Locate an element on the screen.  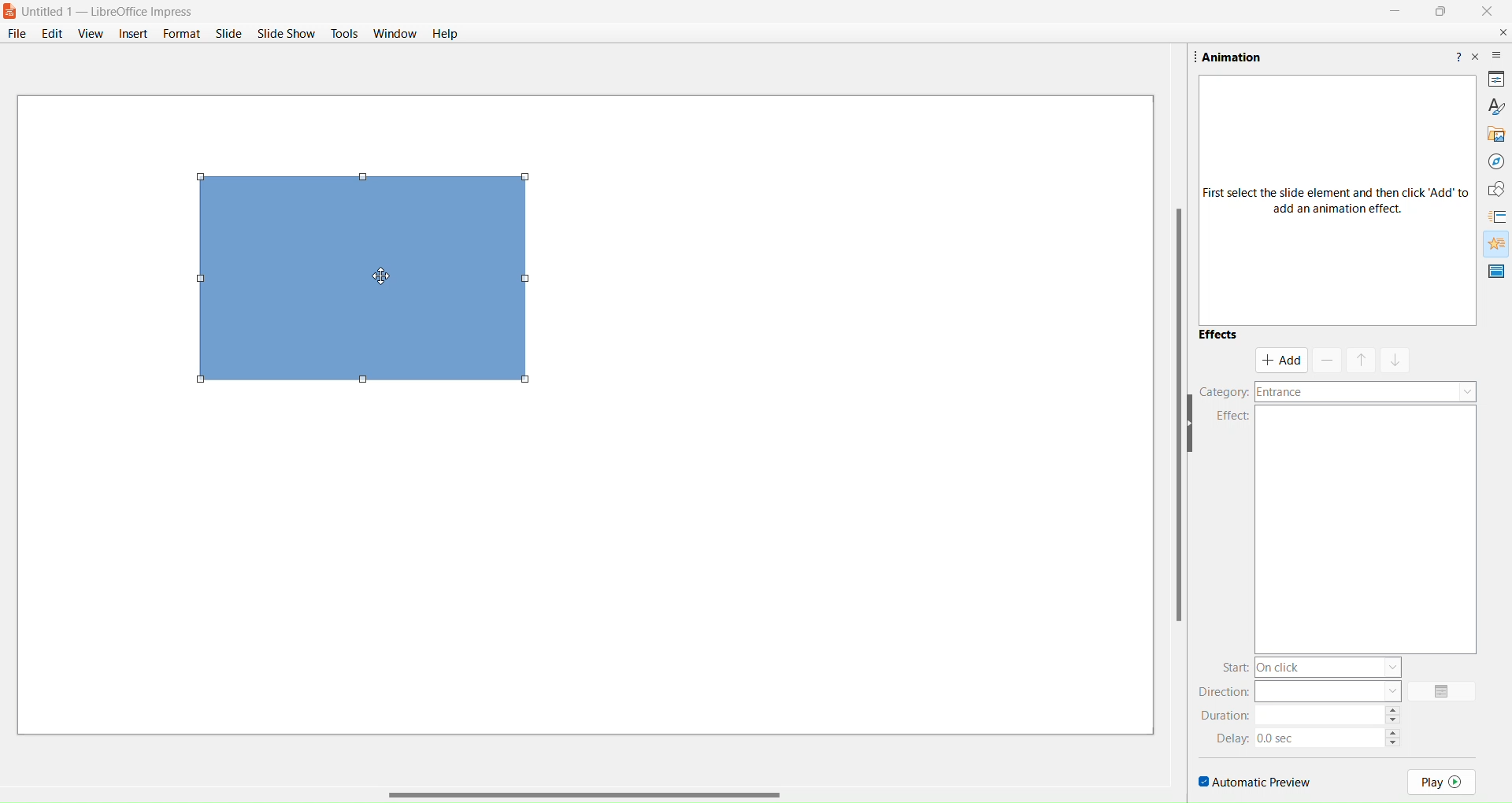
effect elements is located at coordinates (1372, 531).